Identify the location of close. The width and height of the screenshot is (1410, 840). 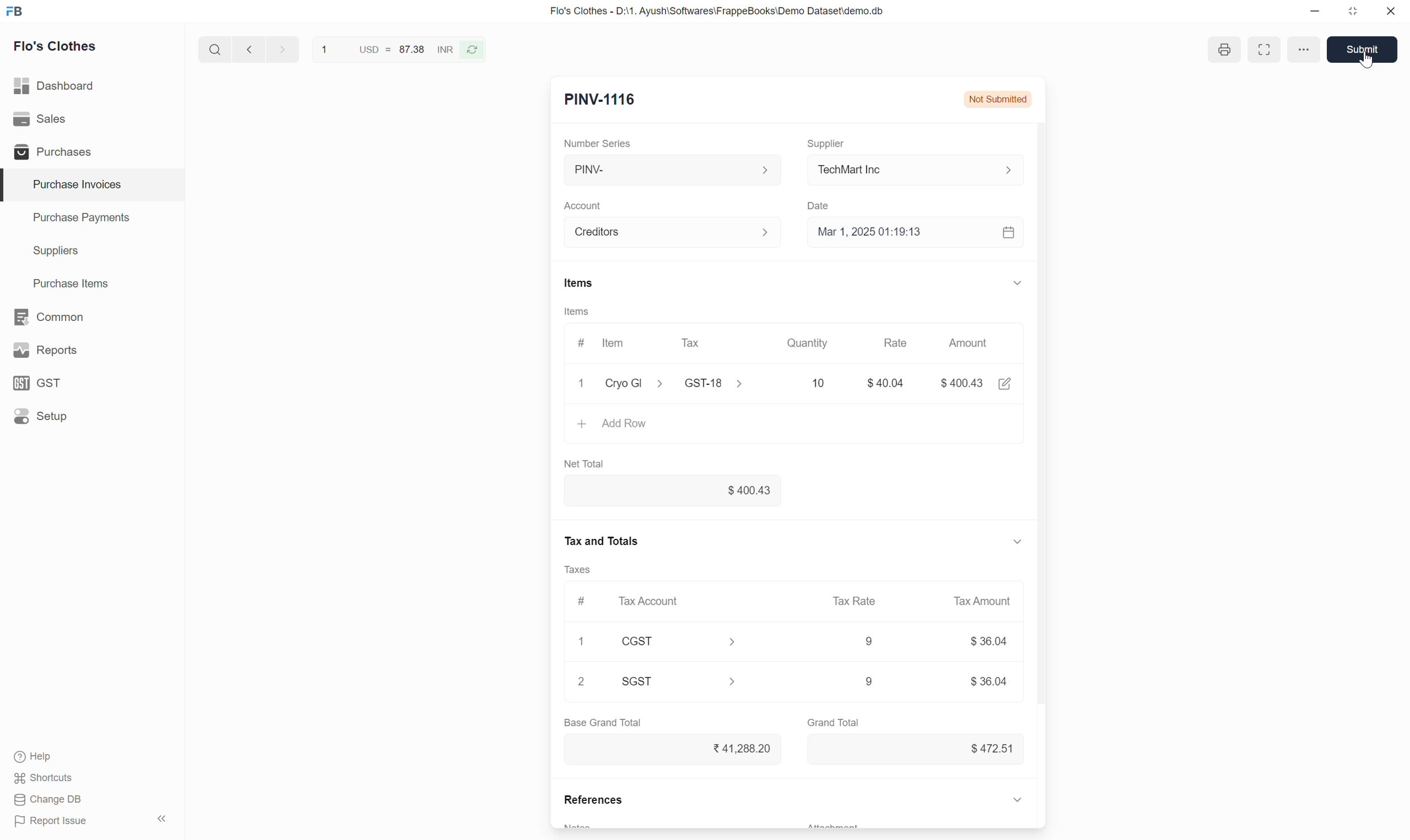
(1391, 13).